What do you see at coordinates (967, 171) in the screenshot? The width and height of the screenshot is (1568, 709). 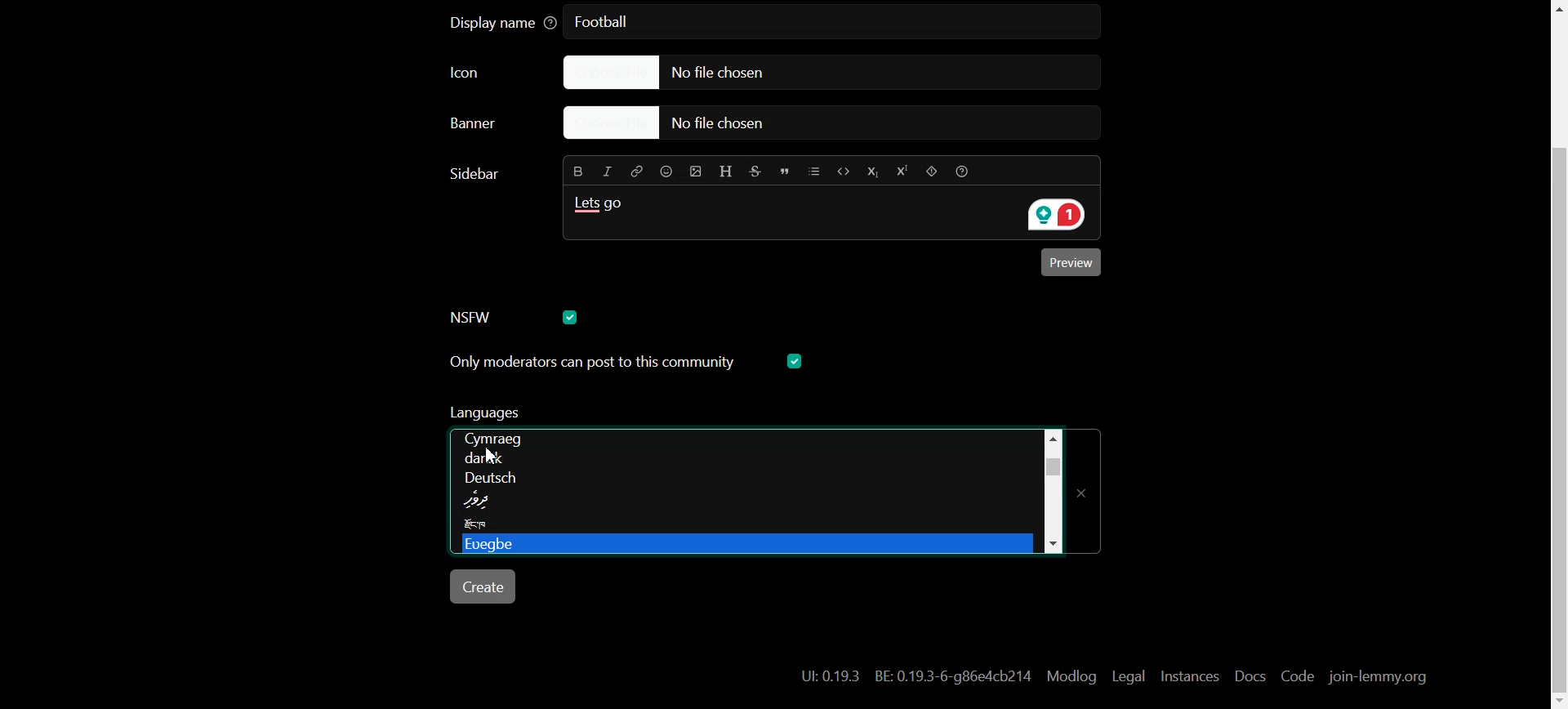 I see `Formatting Help` at bounding box center [967, 171].